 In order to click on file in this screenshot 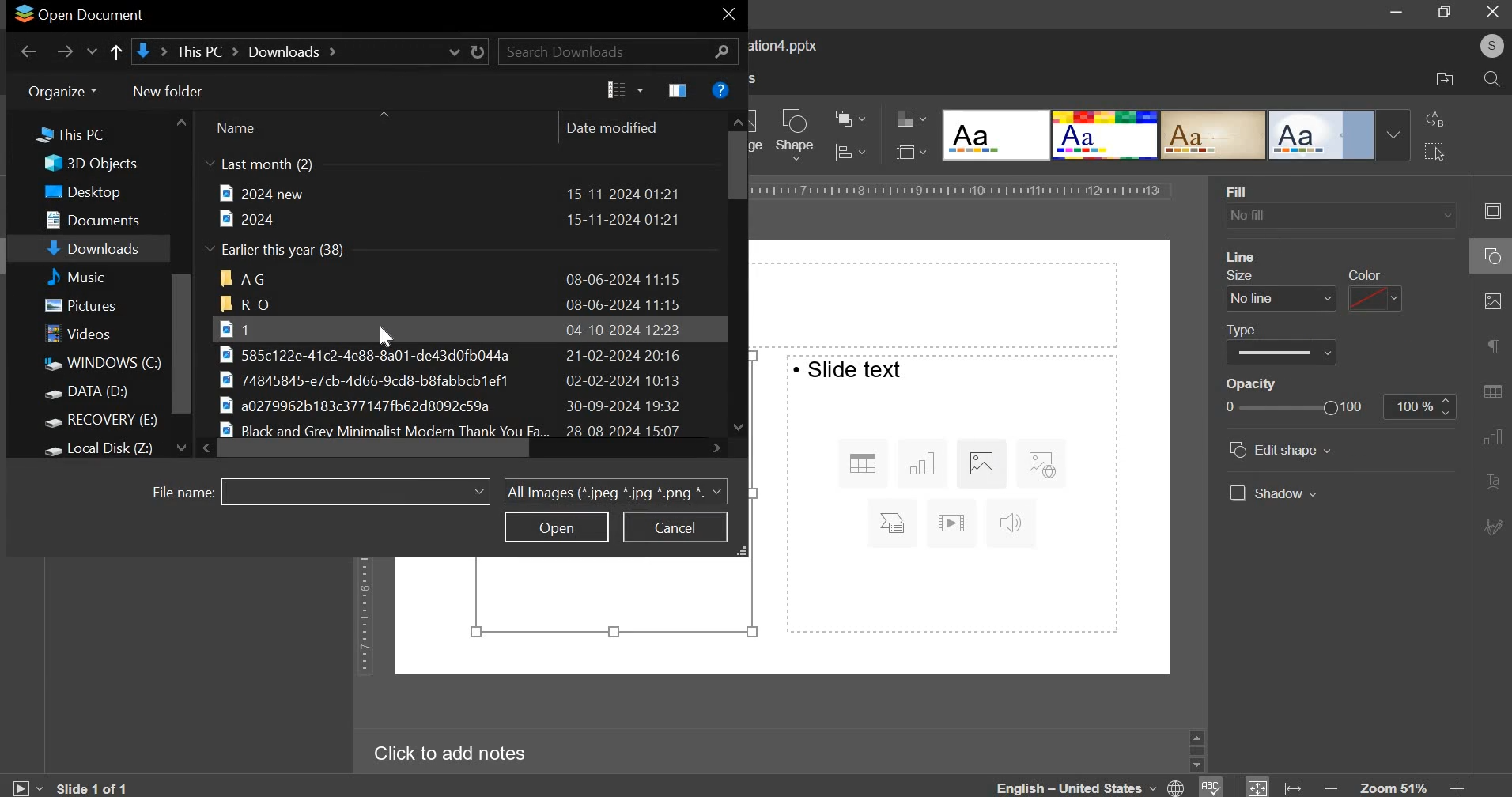, I will do `click(449, 219)`.